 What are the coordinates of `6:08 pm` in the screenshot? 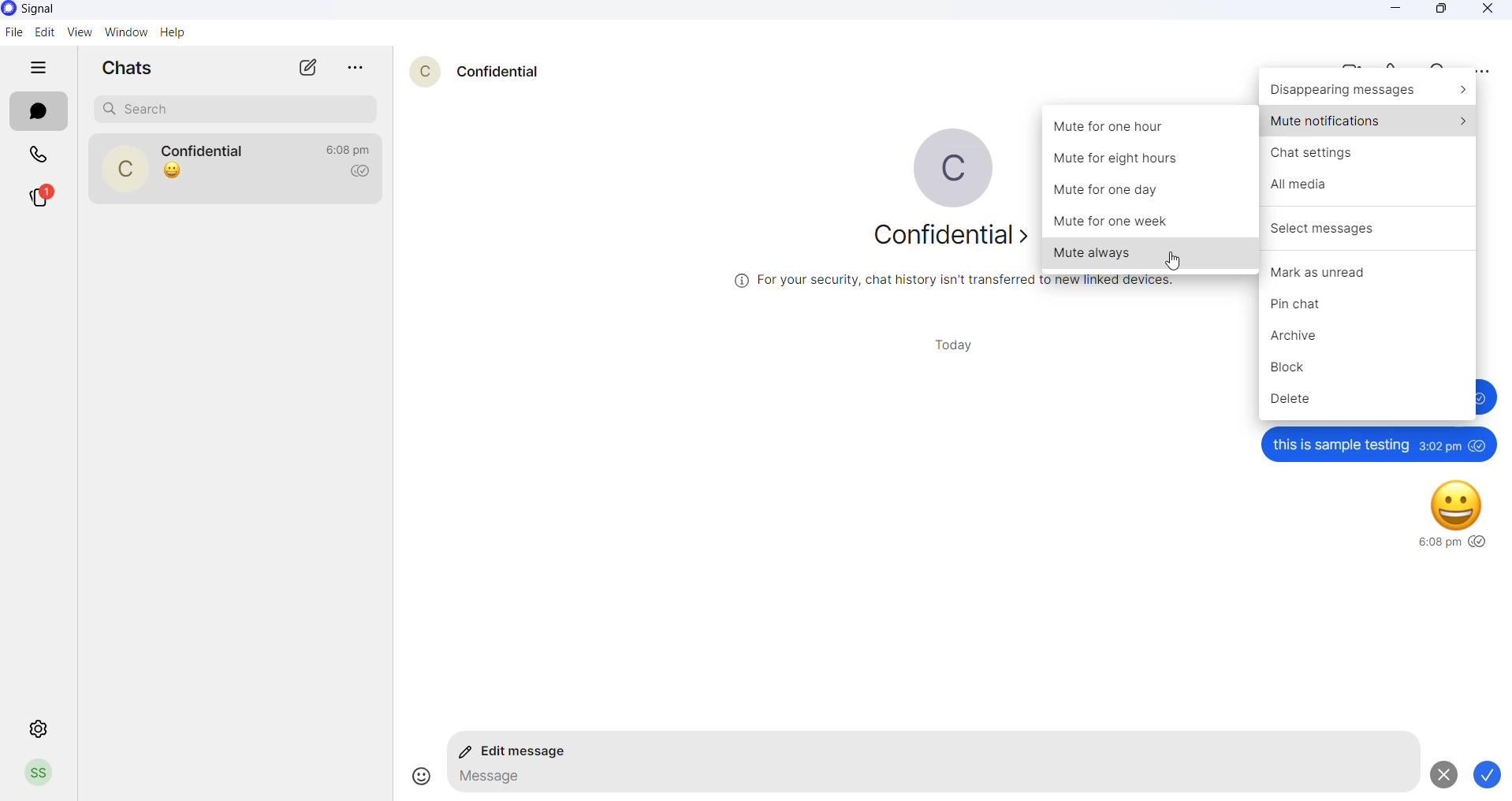 It's located at (1437, 543).